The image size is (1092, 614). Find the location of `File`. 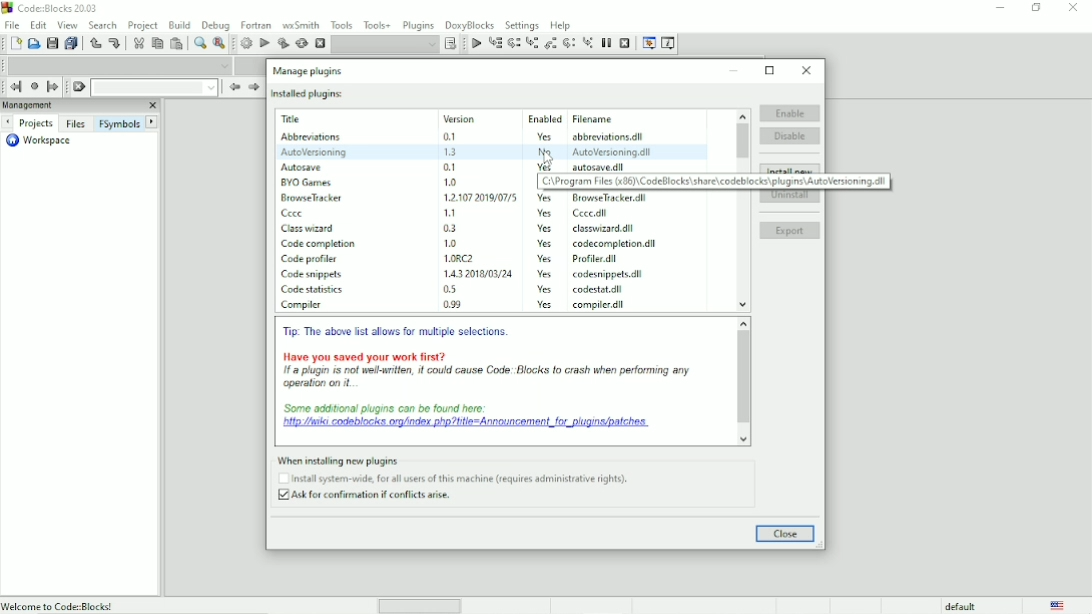

File is located at coordinates (12, 24).